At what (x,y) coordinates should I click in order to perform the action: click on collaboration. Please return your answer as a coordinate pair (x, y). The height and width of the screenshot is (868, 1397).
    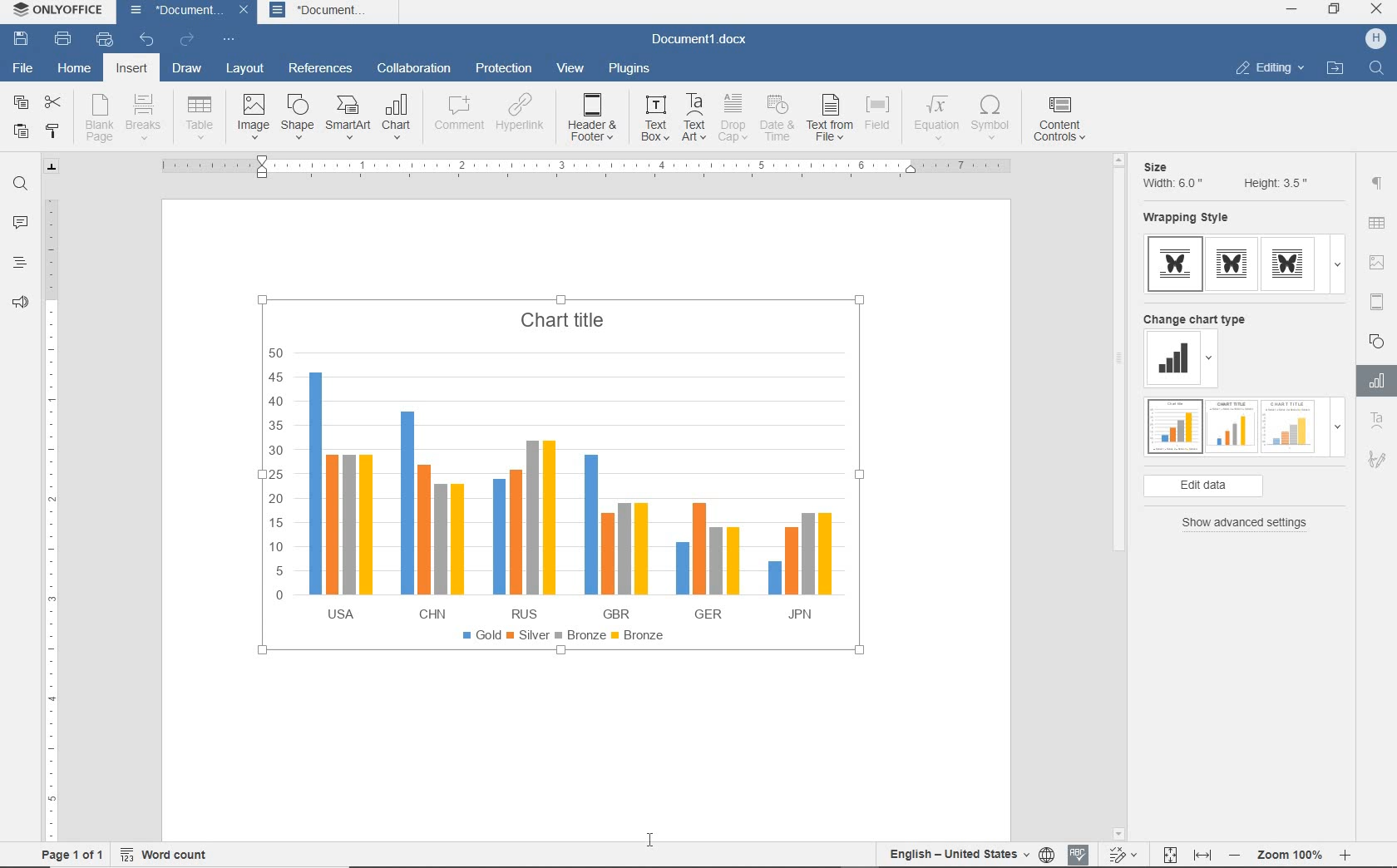
    Looking at the image, I should click on (414, 68).